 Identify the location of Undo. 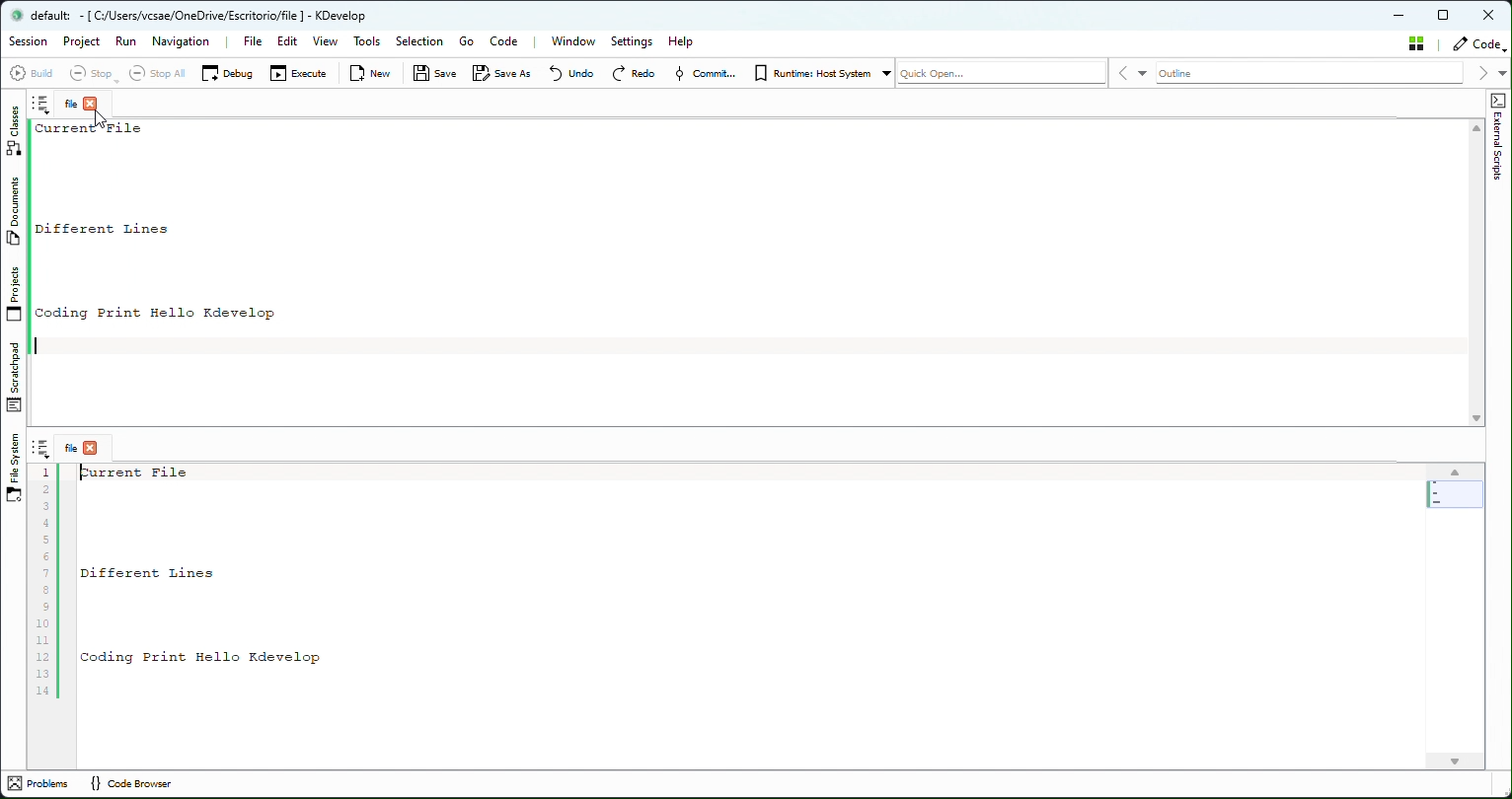
(571, 75).